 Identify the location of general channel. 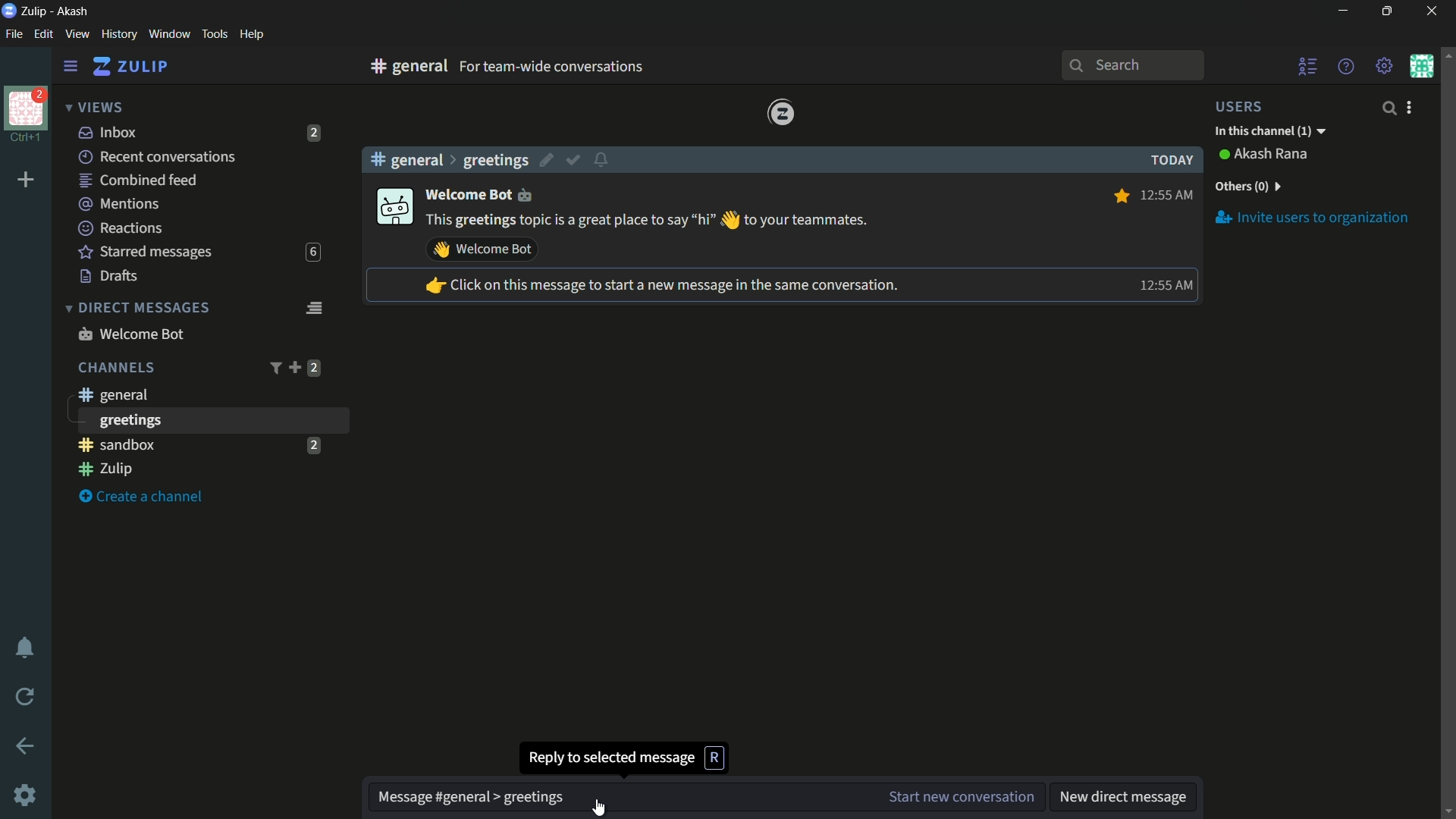
(111, 394).